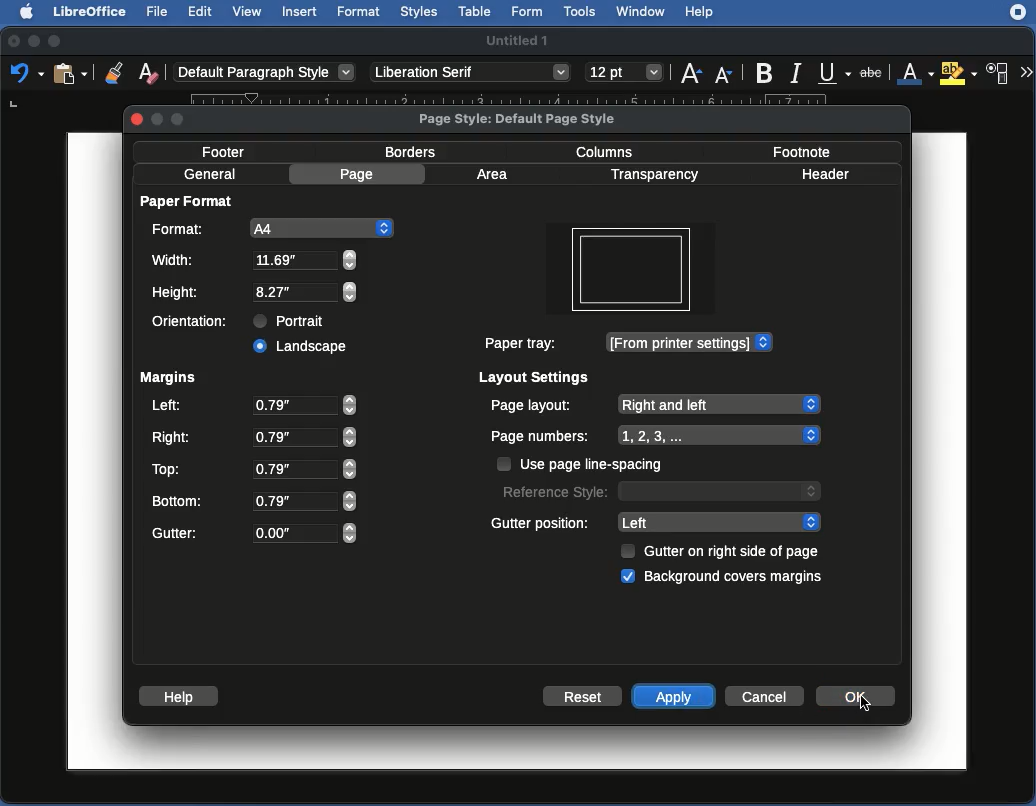 This screenshot has height=806, width=1036. I want to click on Gutter, so click(177, 534).